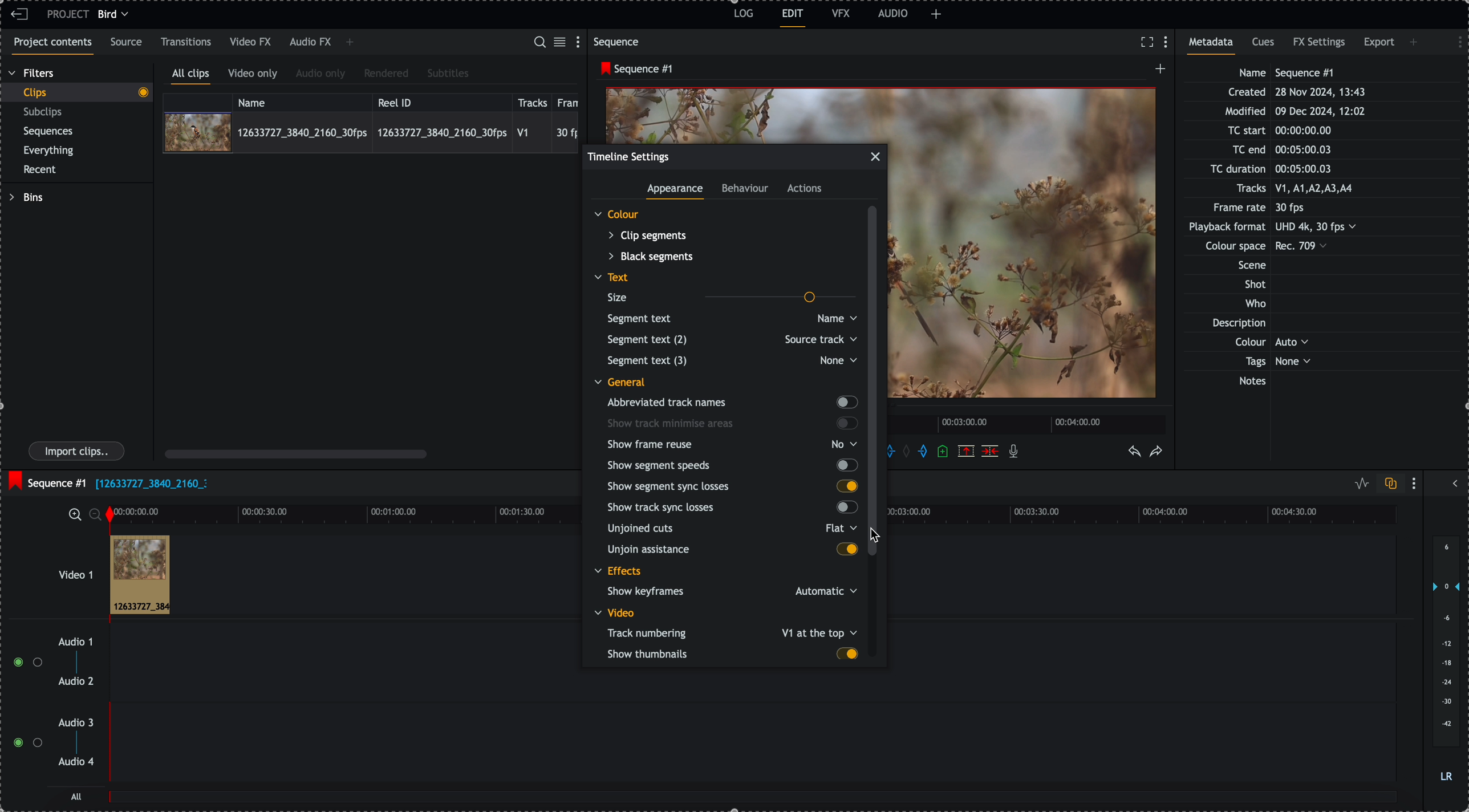 This screenshot has width=1469, height=812. I want to click on edit, so click(793, 18).